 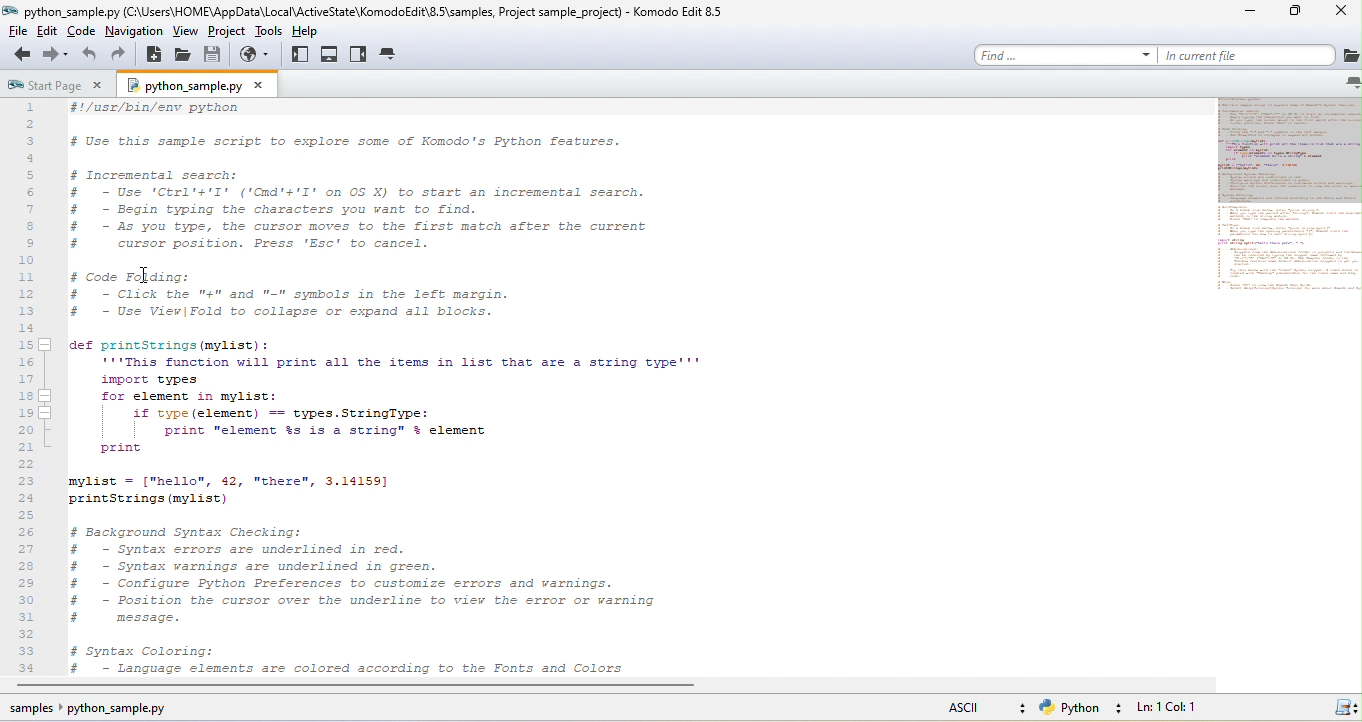 What do you see at coordinates (48, 35) in the screenshot?
I see `edit` at bounding box center [48, 35].